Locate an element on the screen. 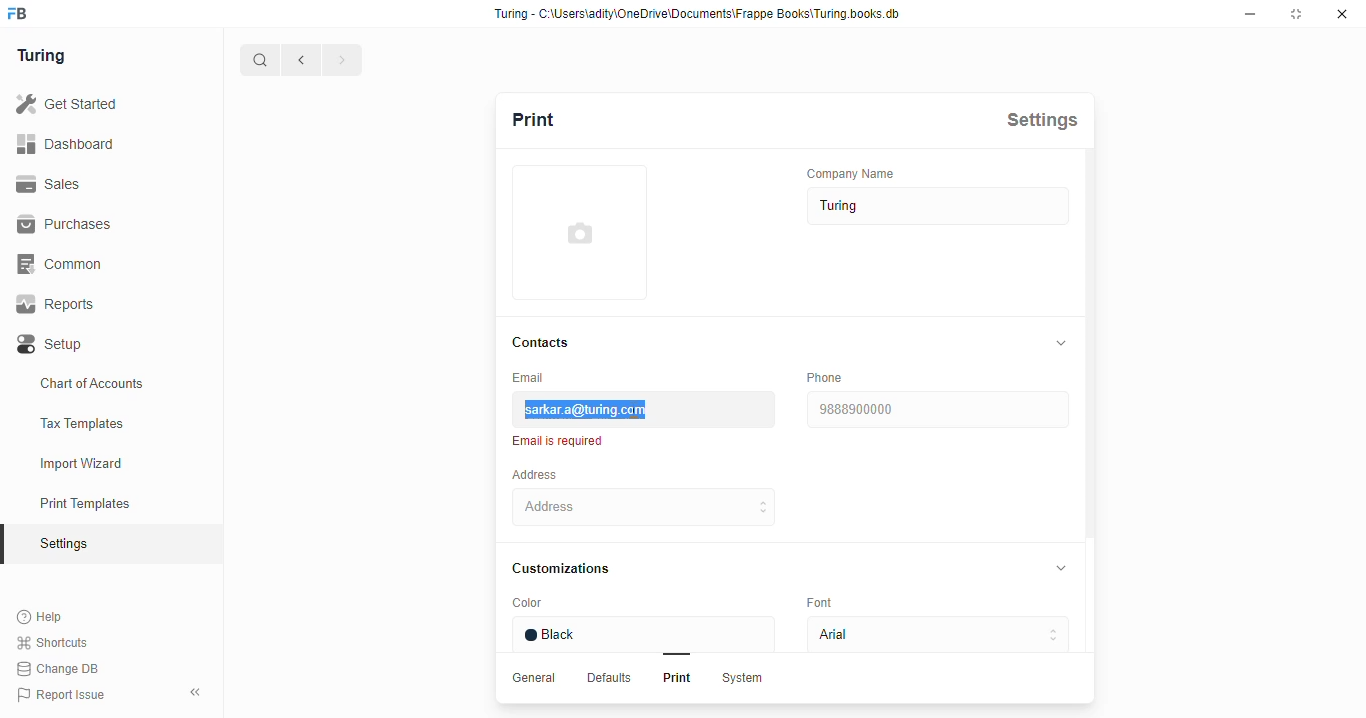  collapse is located at coordinates (1062, 342).